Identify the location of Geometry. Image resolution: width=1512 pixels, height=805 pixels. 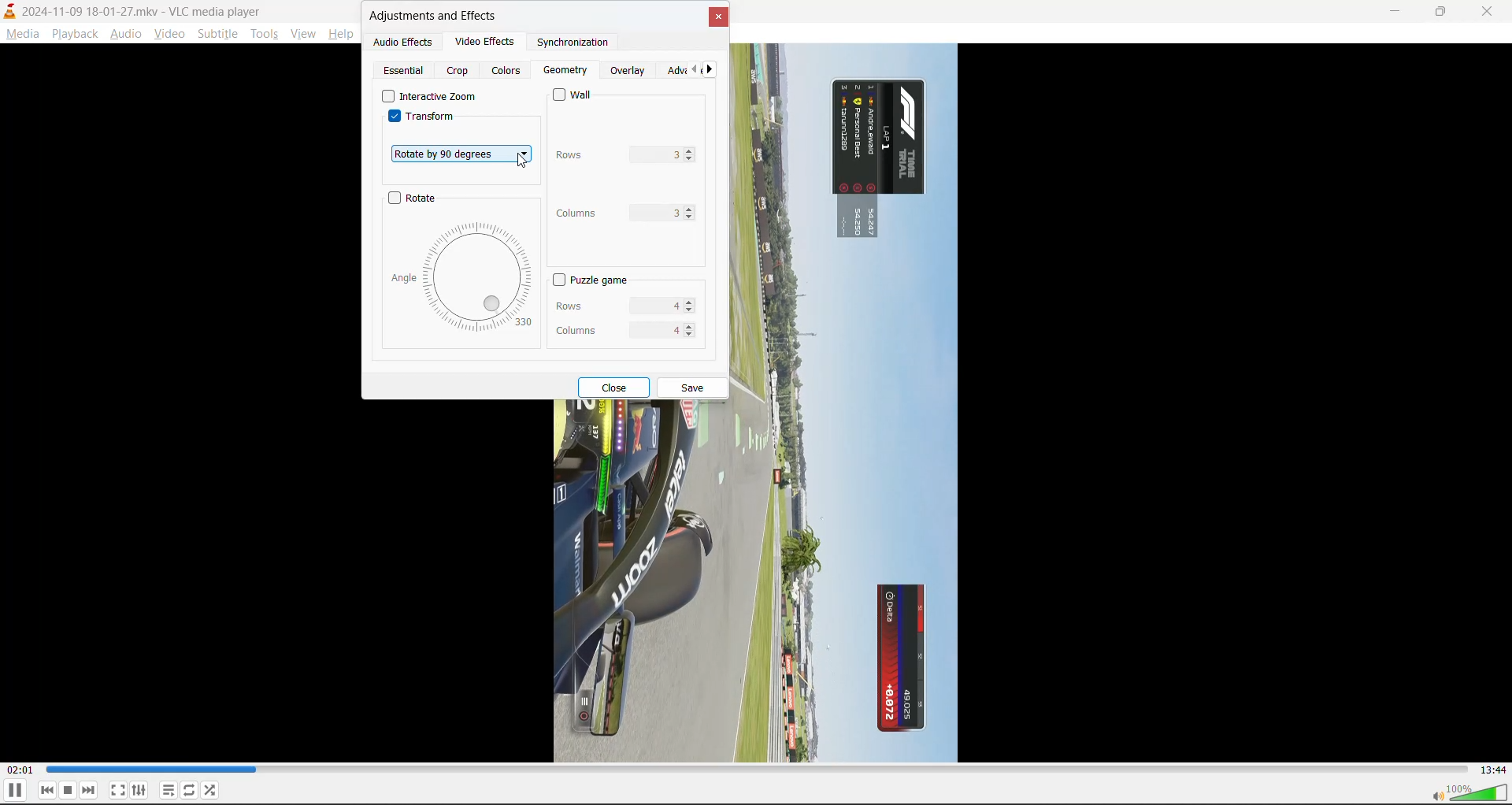
(565, 71).